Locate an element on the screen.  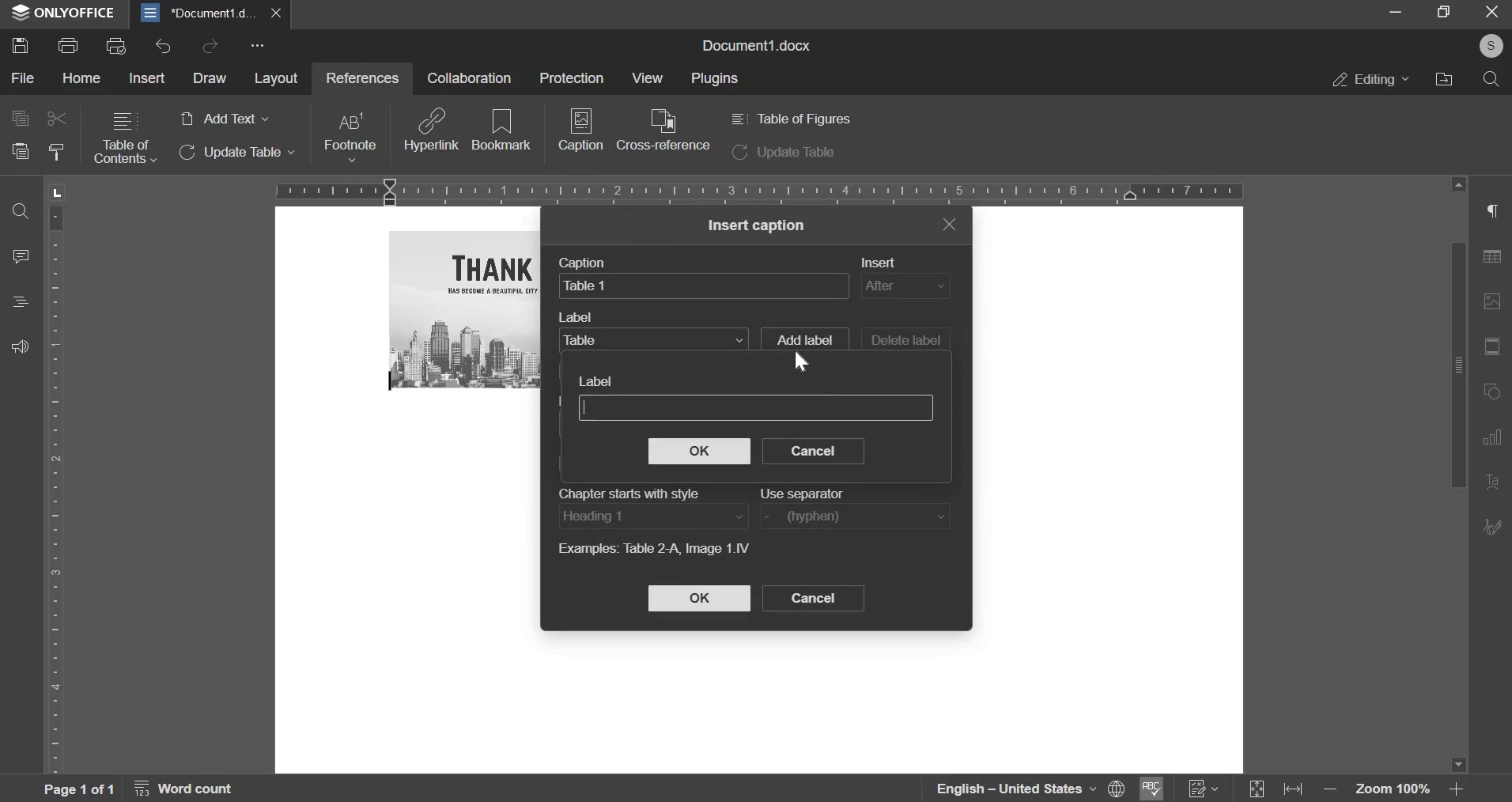
references is located at coordinates (360, 77).